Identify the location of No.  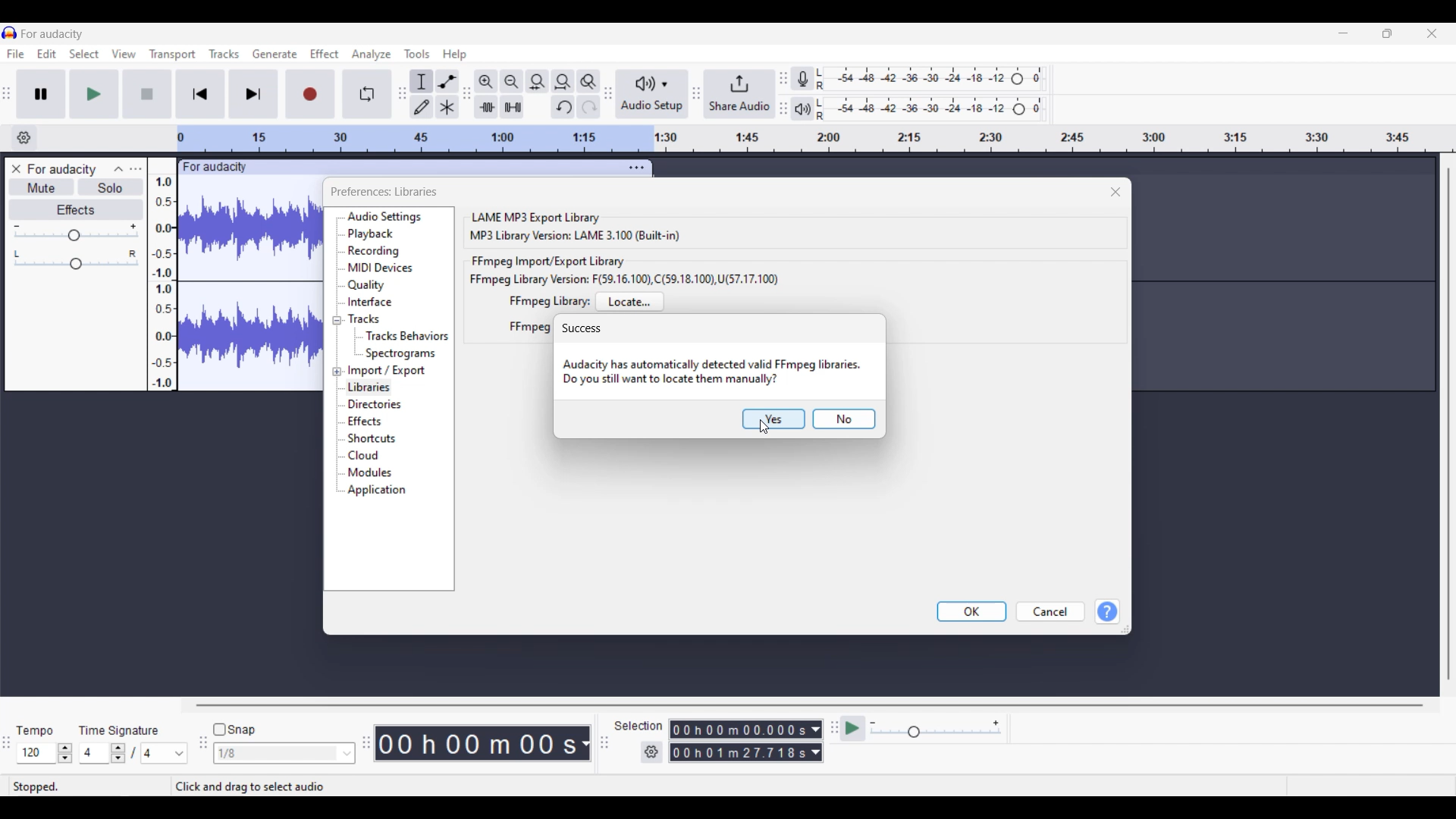
(844, 419).